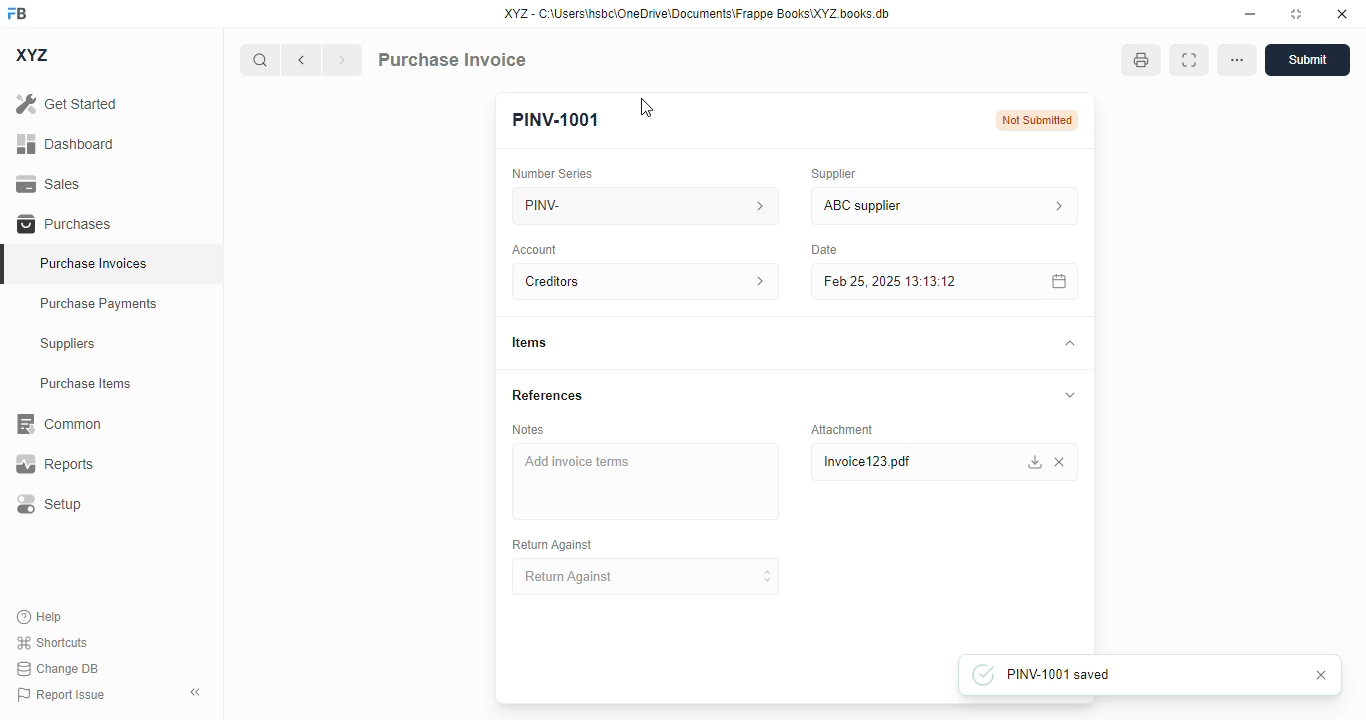  What do you see at coordinates (1070, 395) in the screenshot?
I see `toggle expand/collapse` at bounding box center [1070, 395].